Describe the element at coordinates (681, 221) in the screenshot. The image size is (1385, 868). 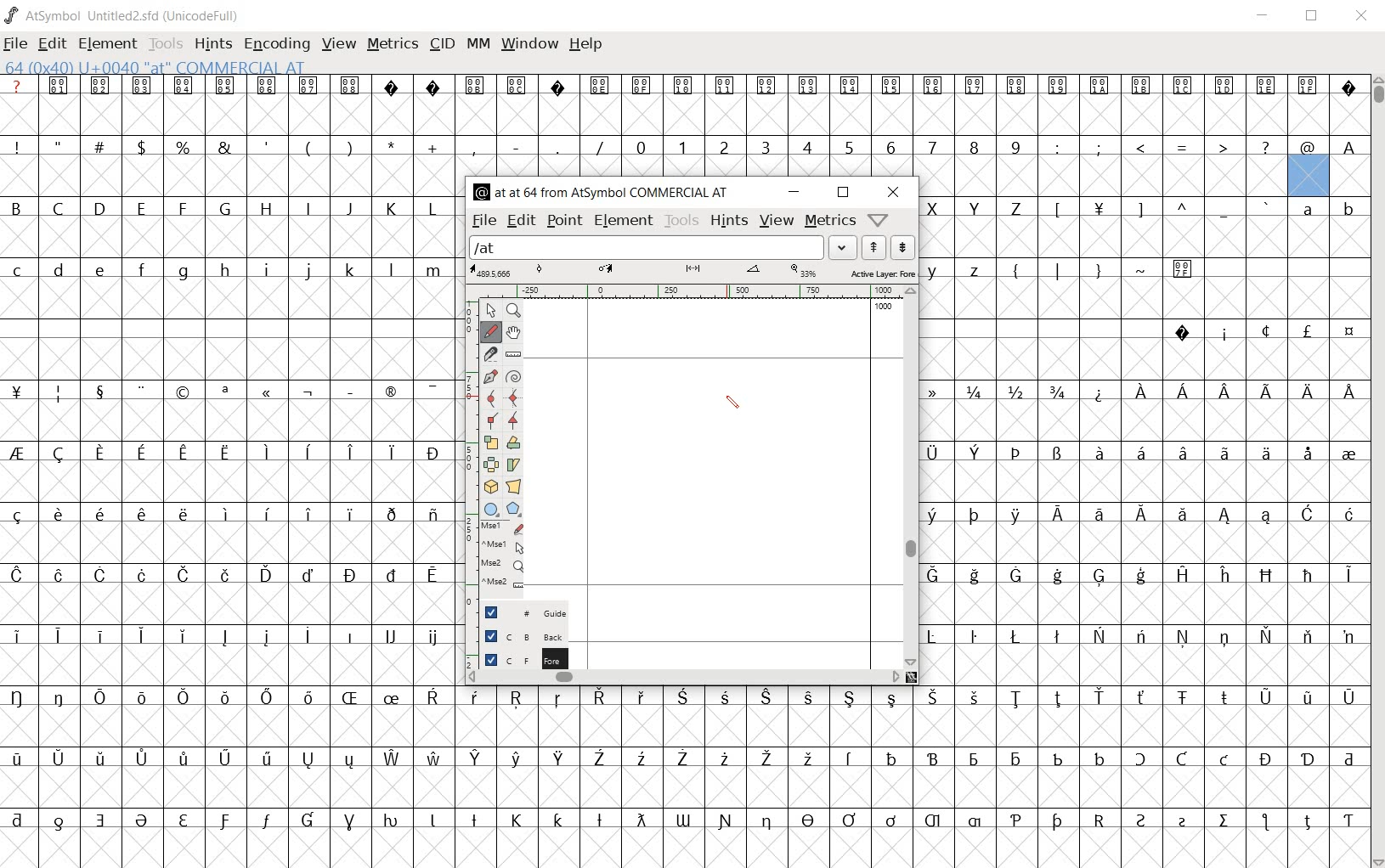
I see `tools` at that location.